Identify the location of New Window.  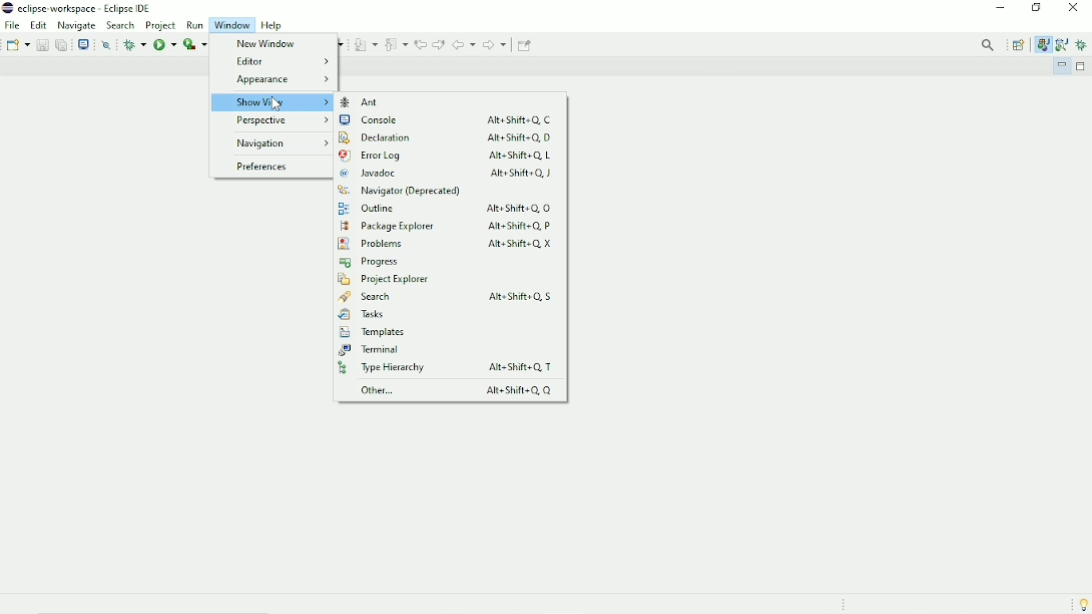
(263, 44).